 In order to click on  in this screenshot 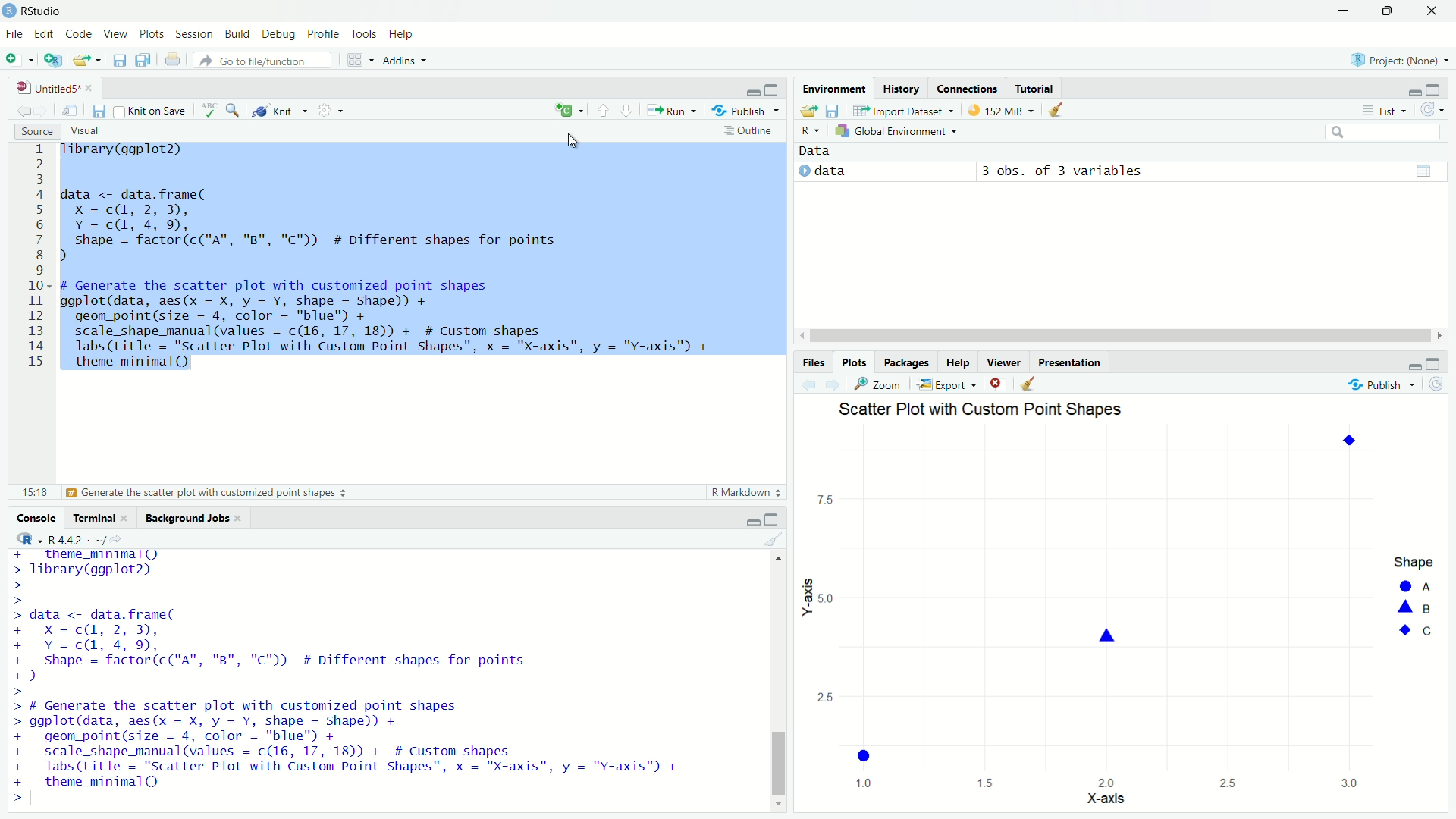, I will do `click(1069, 362)`.